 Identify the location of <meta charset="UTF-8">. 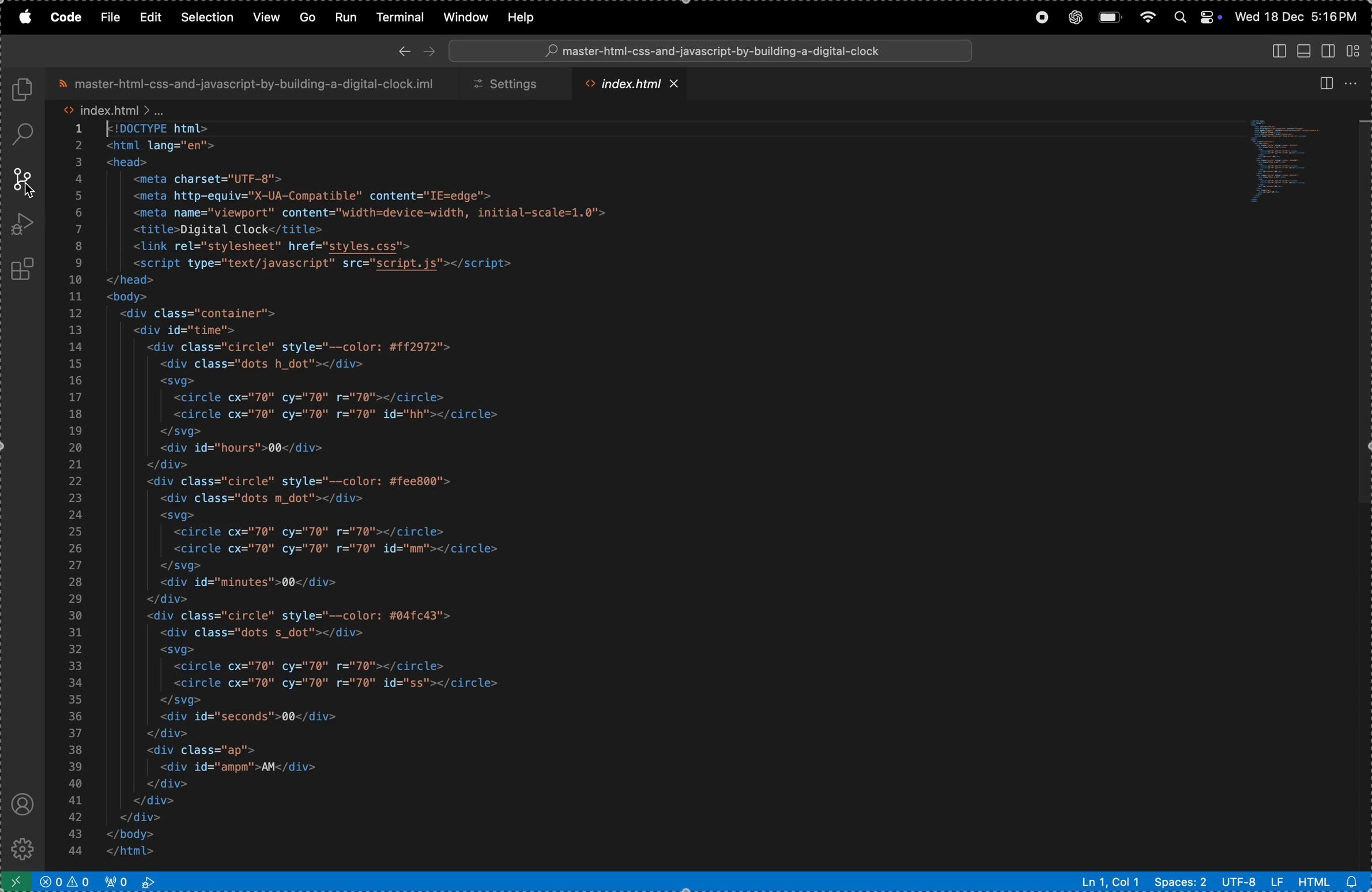
(209, 177).